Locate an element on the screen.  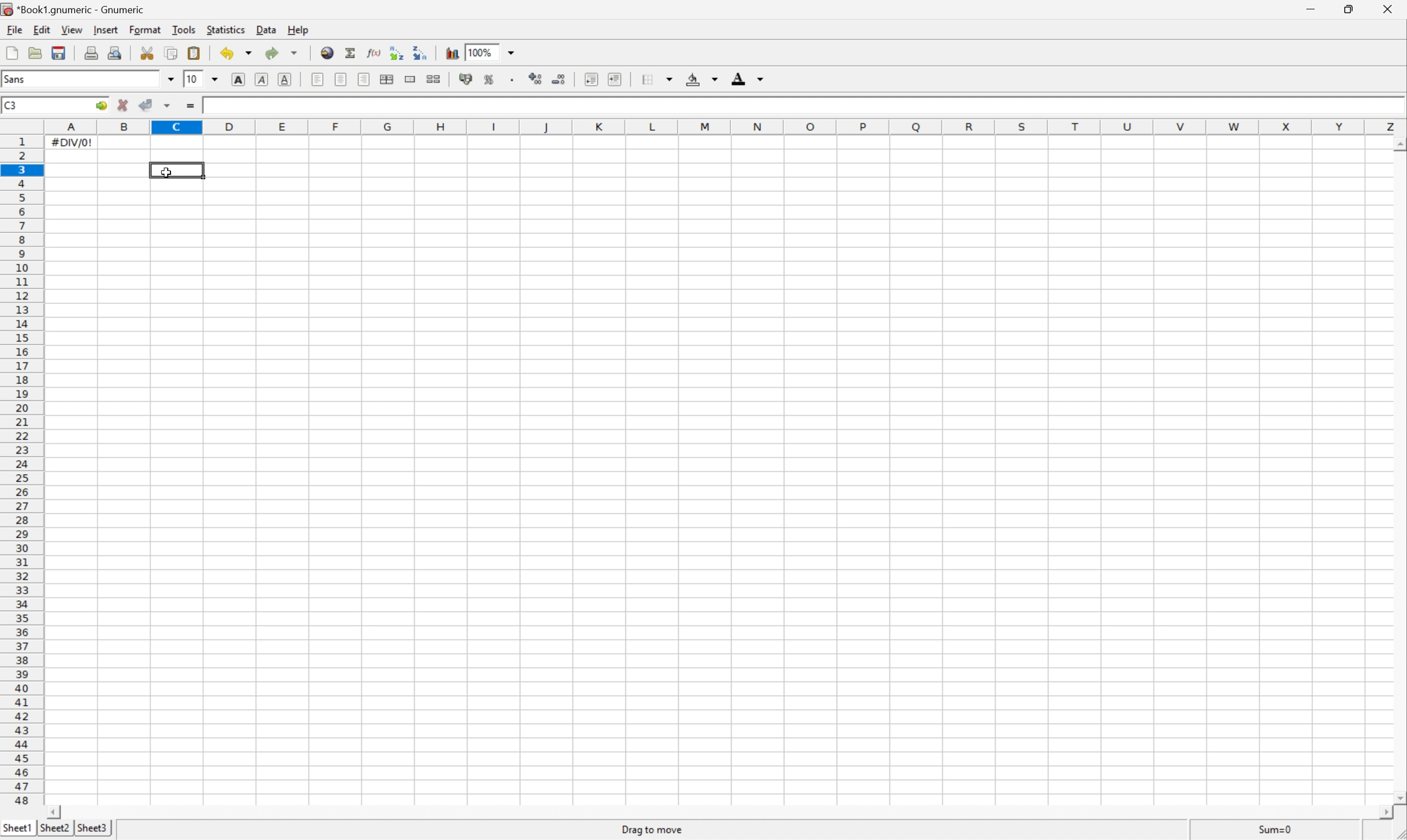
C3 is located at coordinates (13, 104).